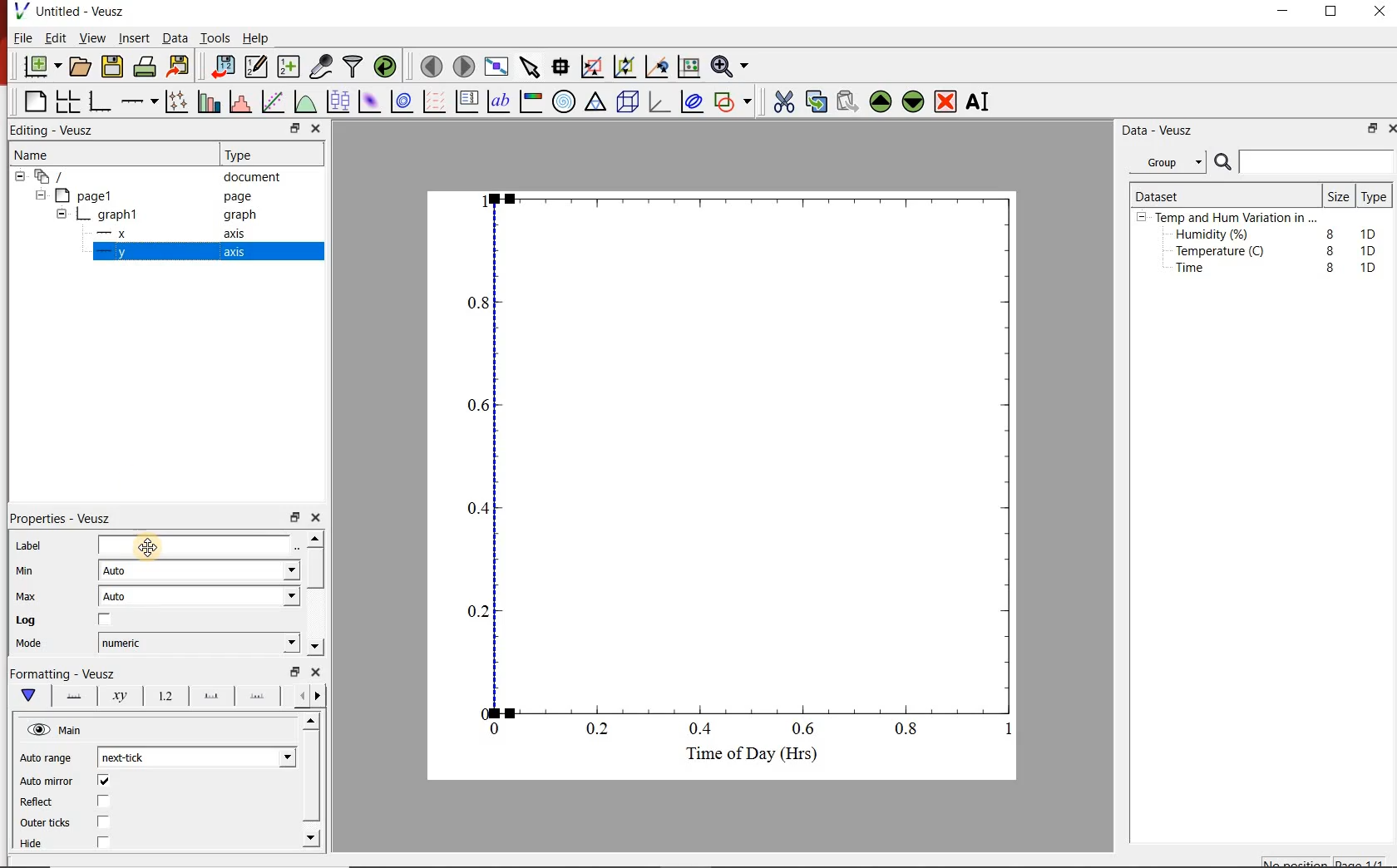 The height and width of the screenshot is (868, 1397). I want to click on Tools, so click(214, 38).